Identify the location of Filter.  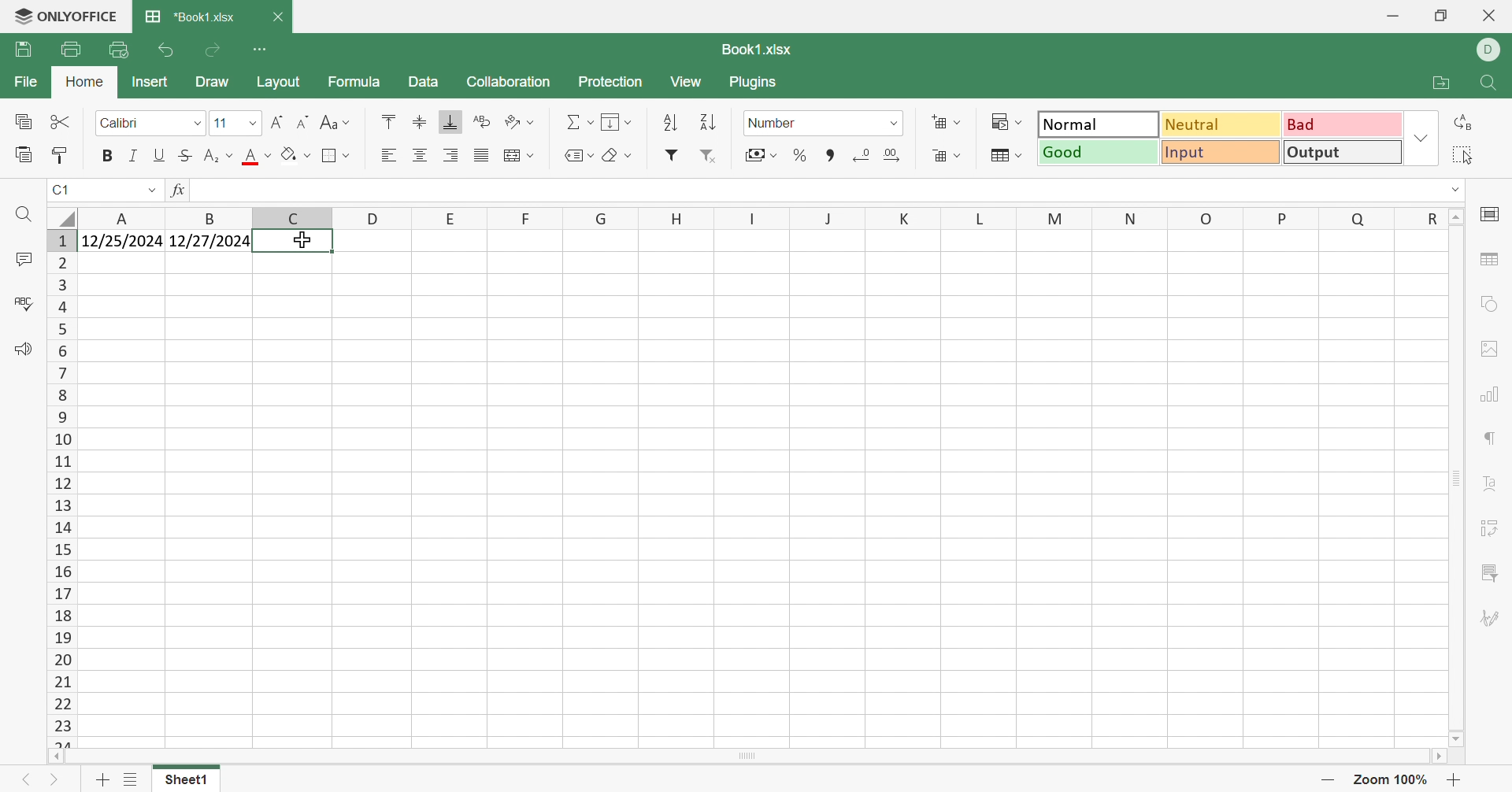
(673, 155).